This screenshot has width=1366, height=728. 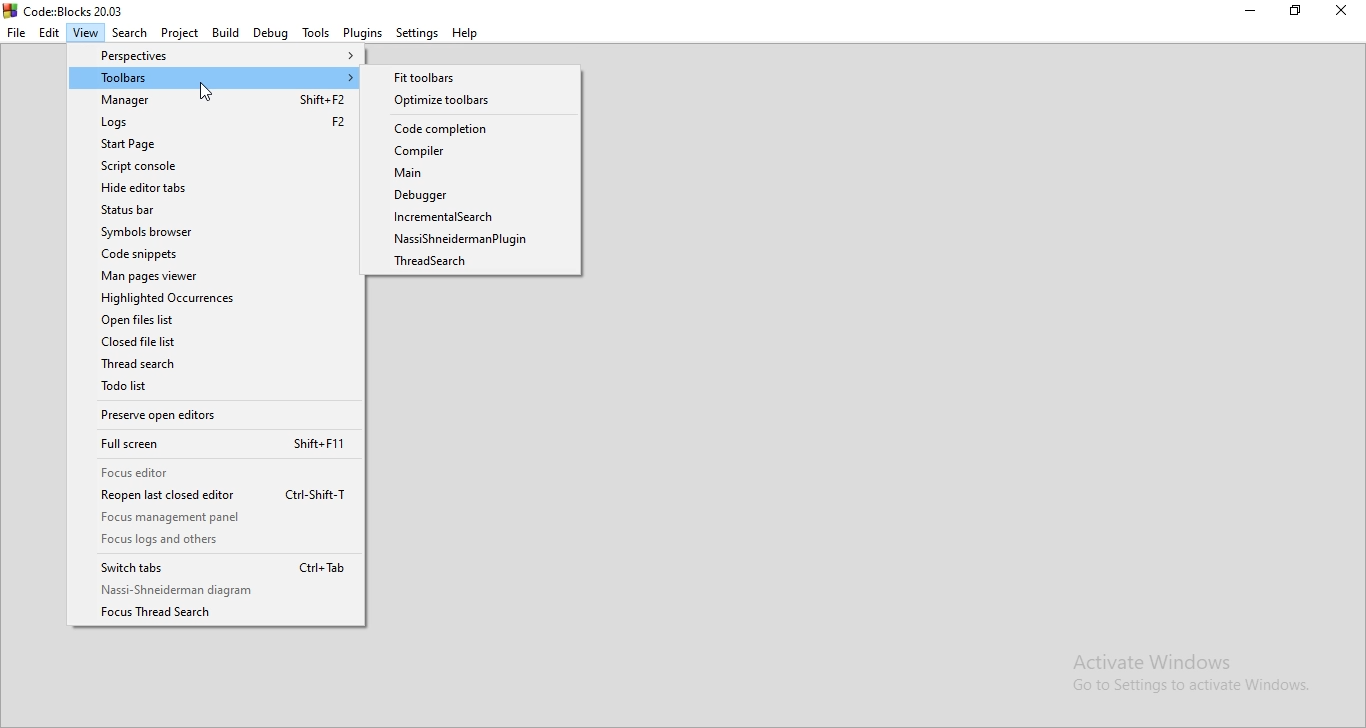 I want to click on Focus management panel, so click(x=214, y=519).